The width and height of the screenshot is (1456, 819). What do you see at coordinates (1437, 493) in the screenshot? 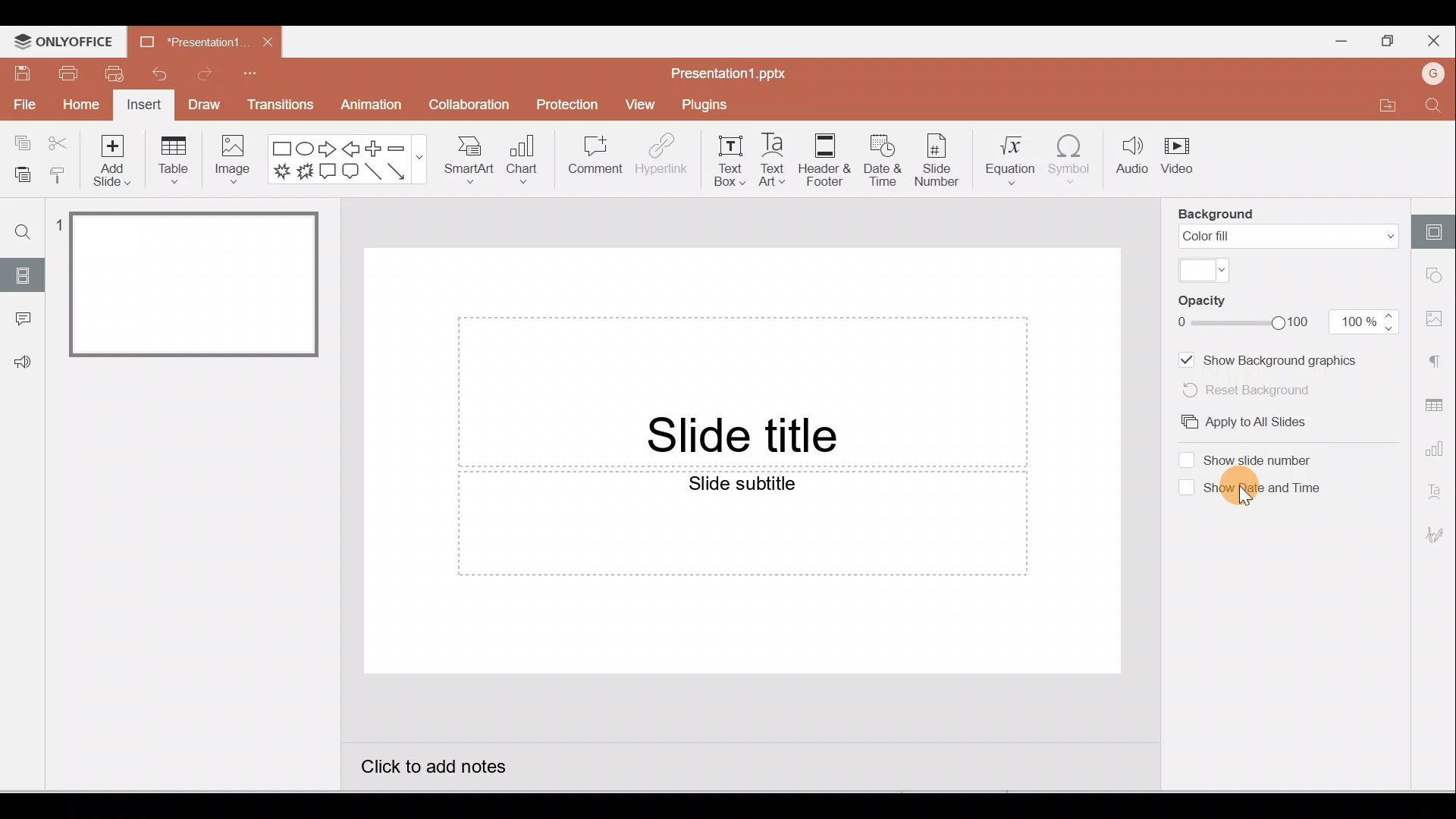
I see `Text Art settings` at bounding box center [1437, 493].